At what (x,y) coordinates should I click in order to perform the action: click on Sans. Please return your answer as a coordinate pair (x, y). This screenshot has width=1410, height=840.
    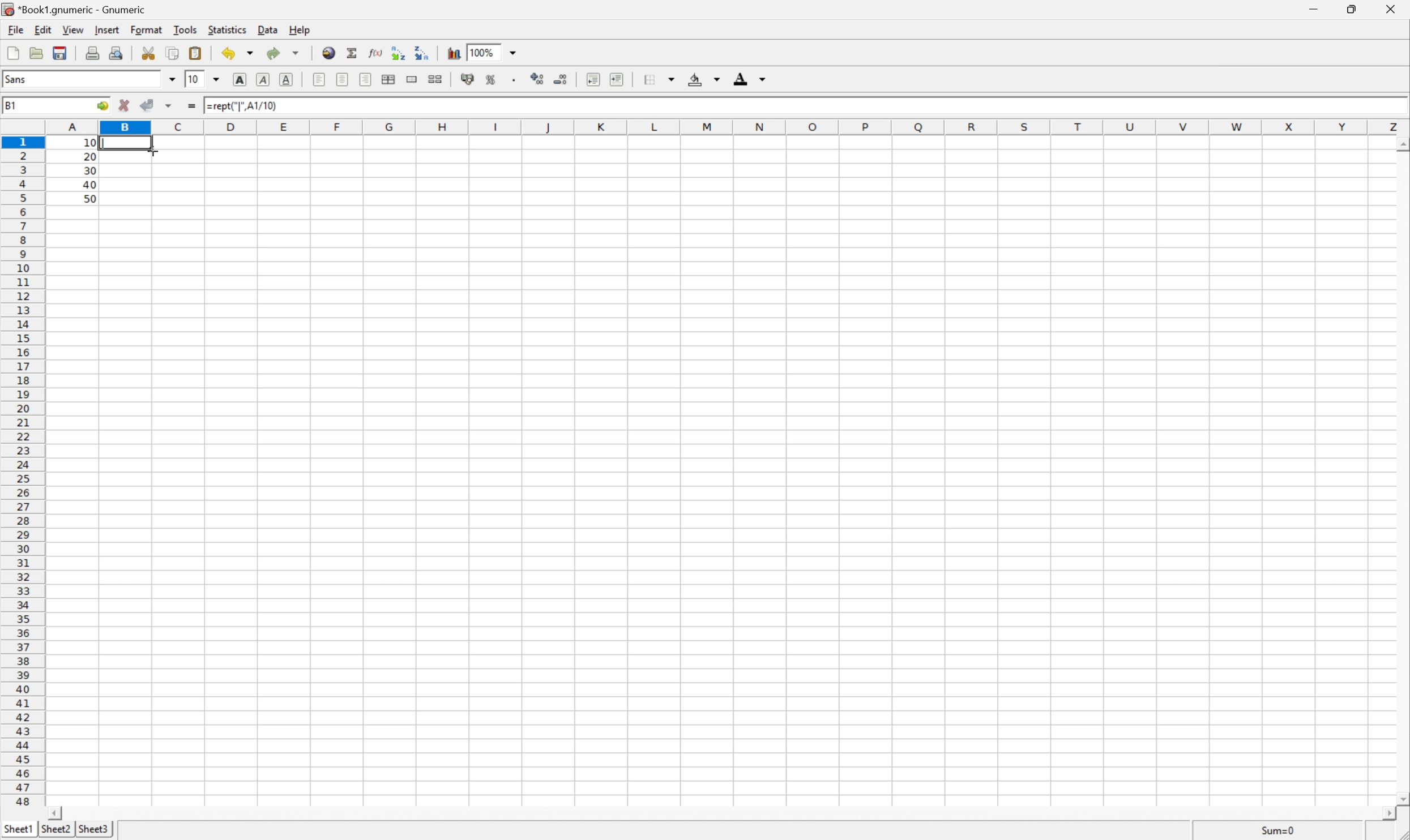
    Looking at the image, I should click on (19, 79).